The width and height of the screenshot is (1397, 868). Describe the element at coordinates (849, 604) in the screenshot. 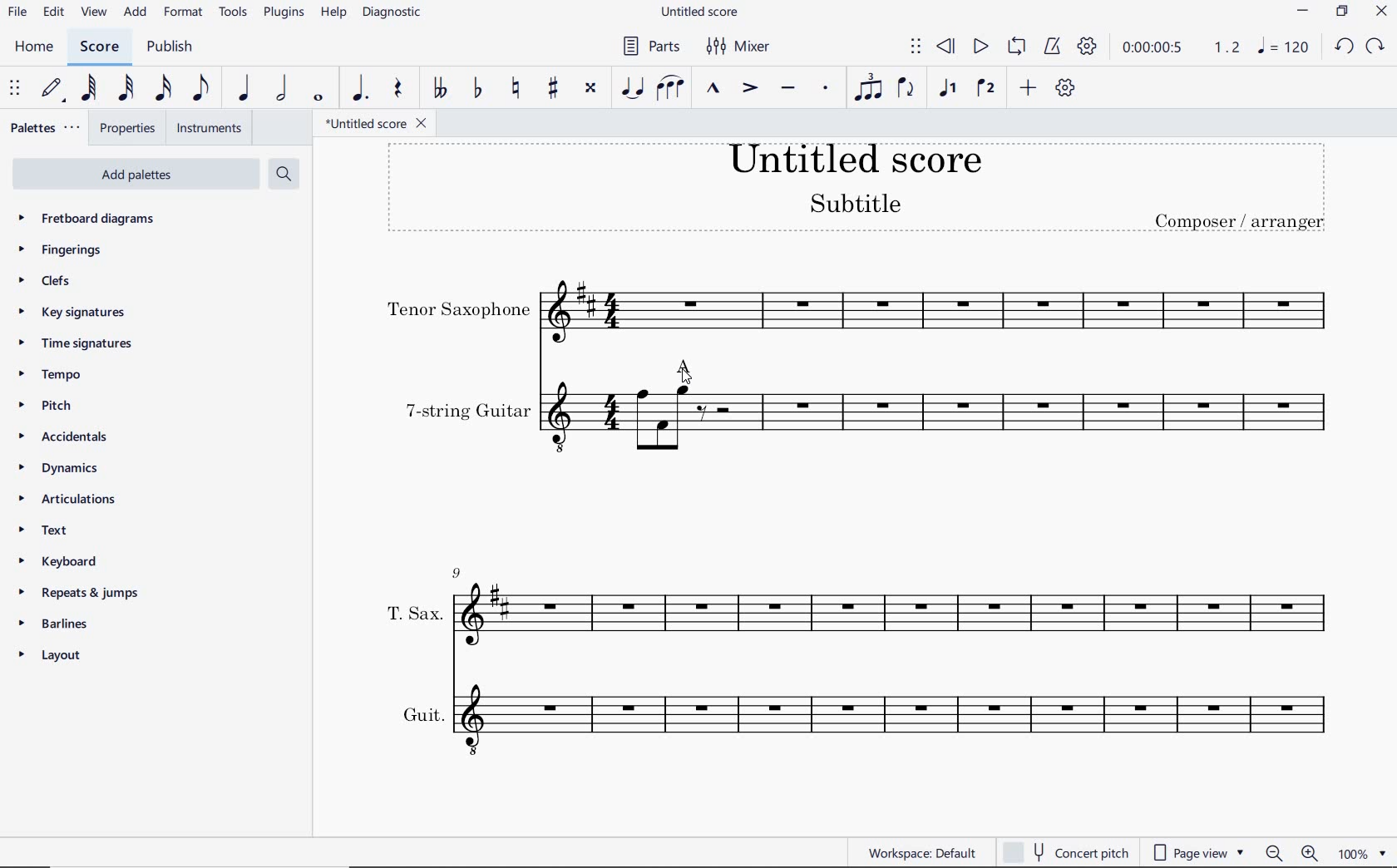

I see `INSTRUMENT: T.SAX` at that location.